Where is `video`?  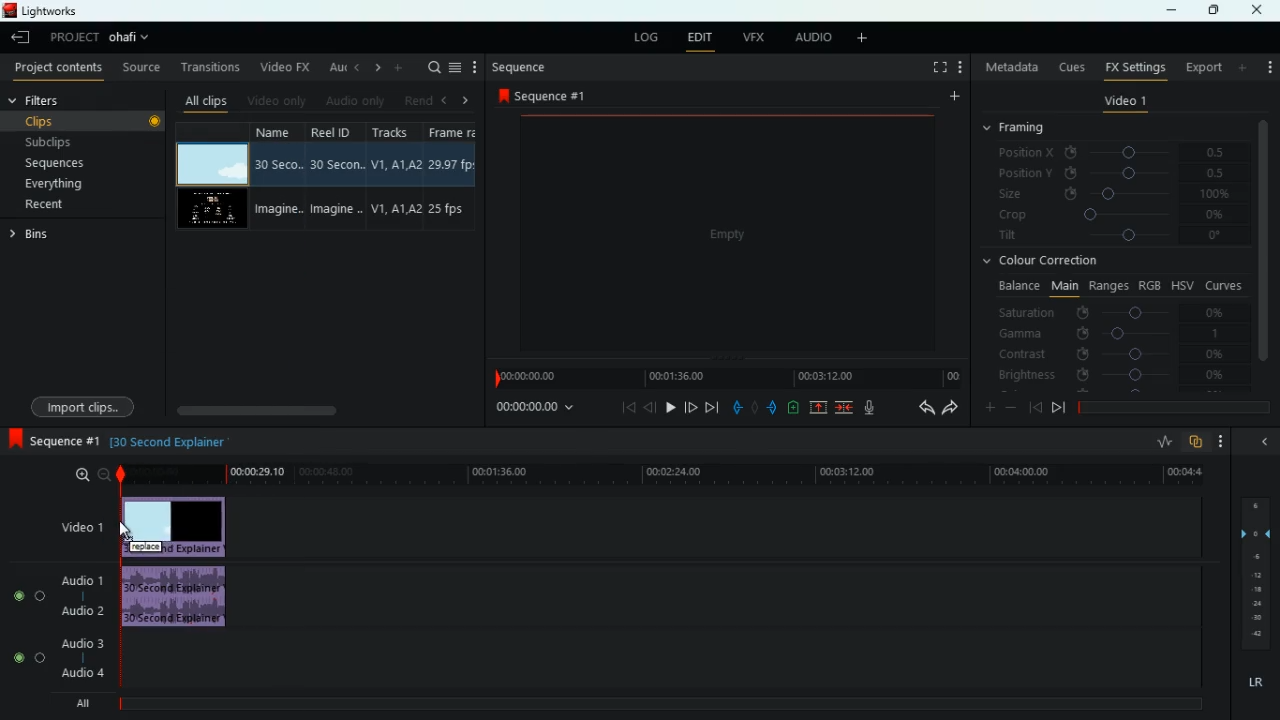
video is located at coordinates (178, 527).